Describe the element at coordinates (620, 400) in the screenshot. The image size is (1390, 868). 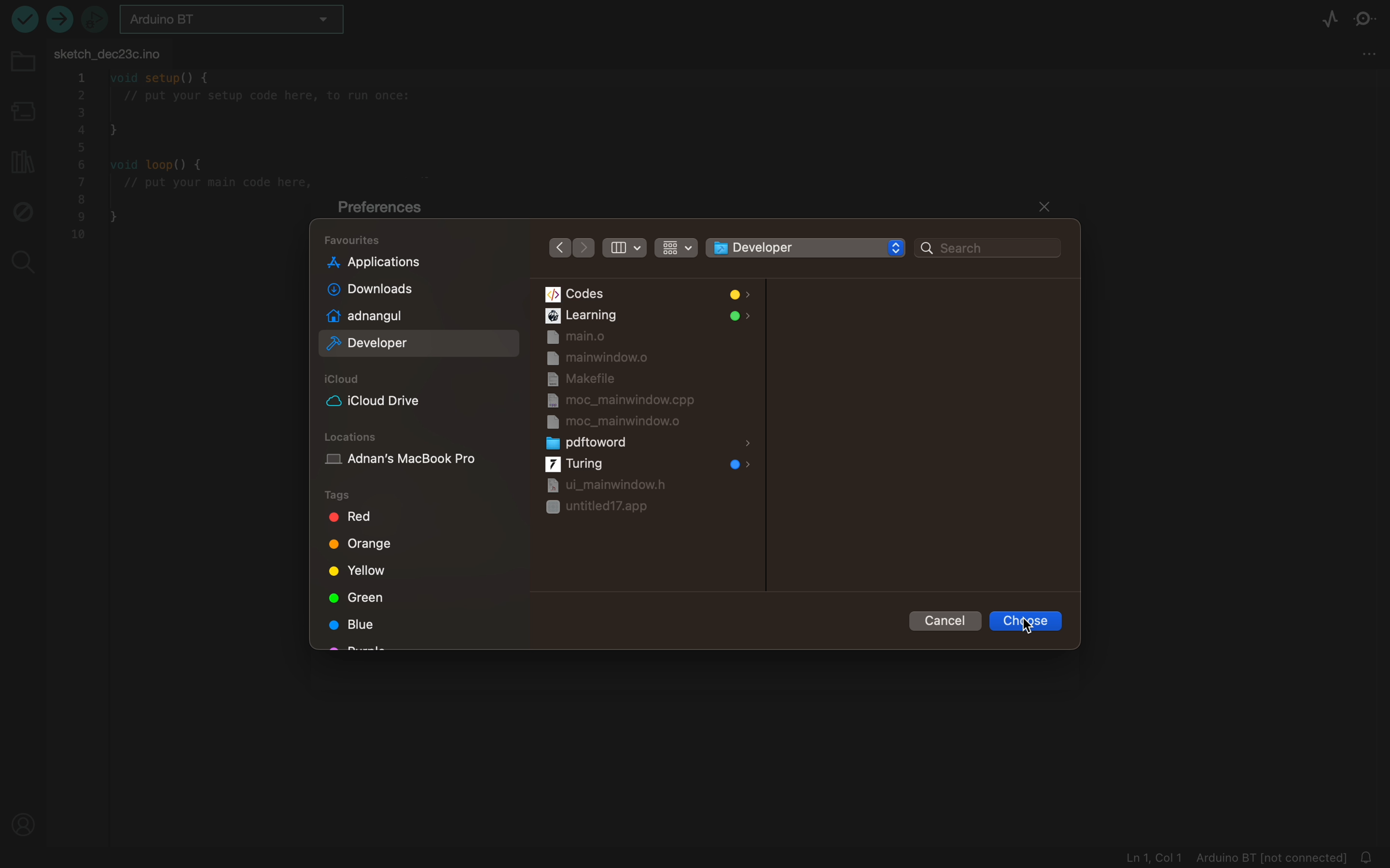
I see `moc mainwindow.cpp` at that location.